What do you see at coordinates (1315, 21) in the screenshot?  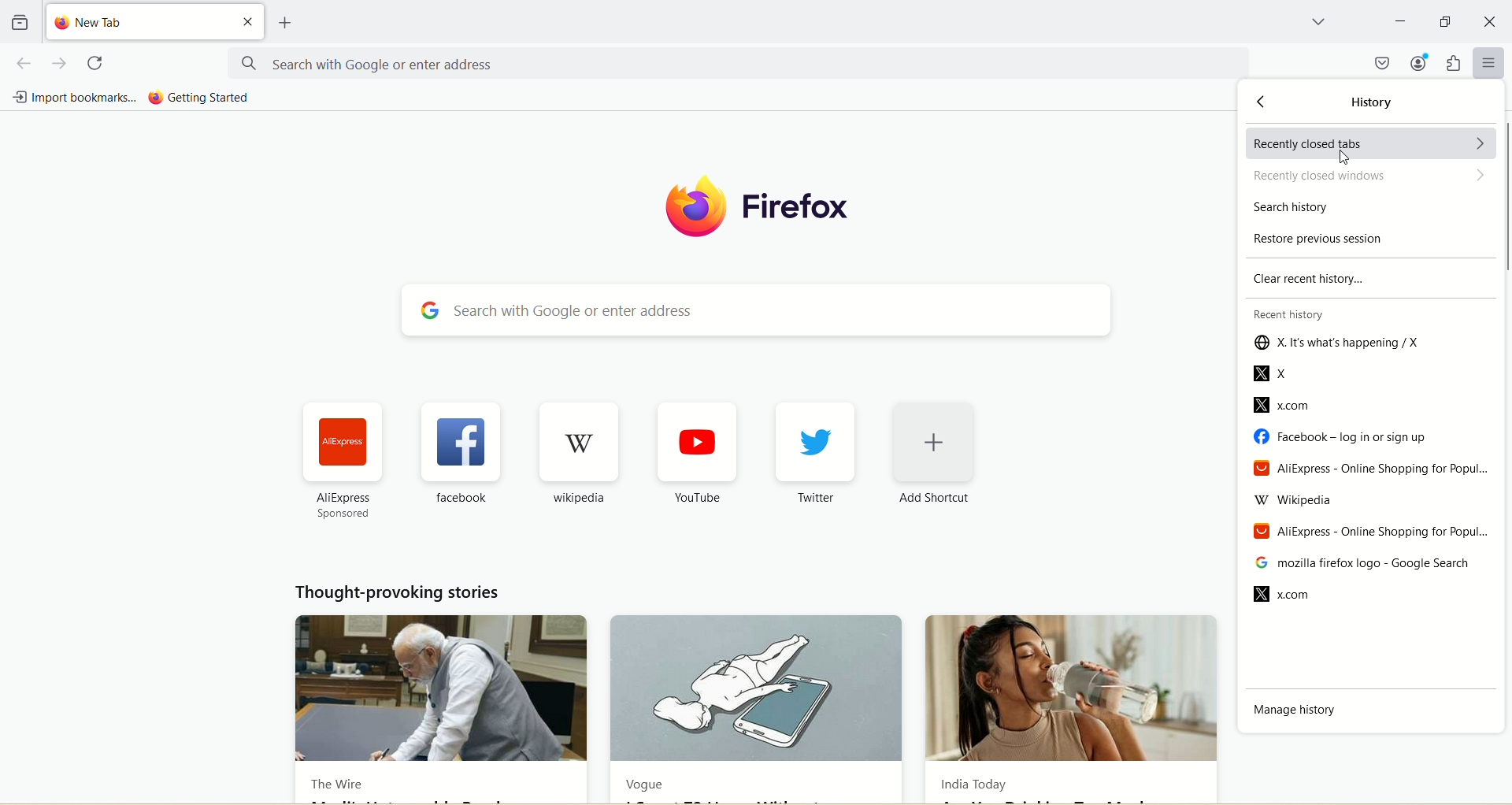 I see `list all tabs` at bounding box center [1315, 21].